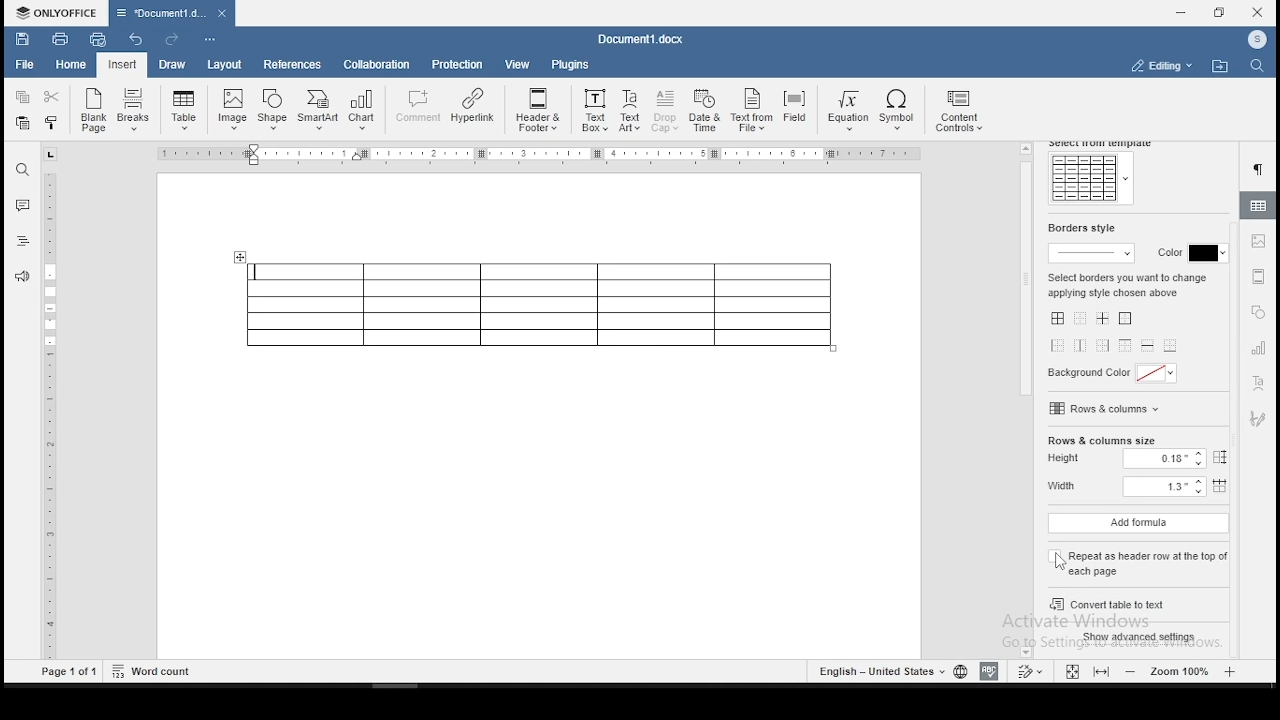  Describe the element at coordinates (1103, 144) in the screenshot. I see `select from template` at that location.